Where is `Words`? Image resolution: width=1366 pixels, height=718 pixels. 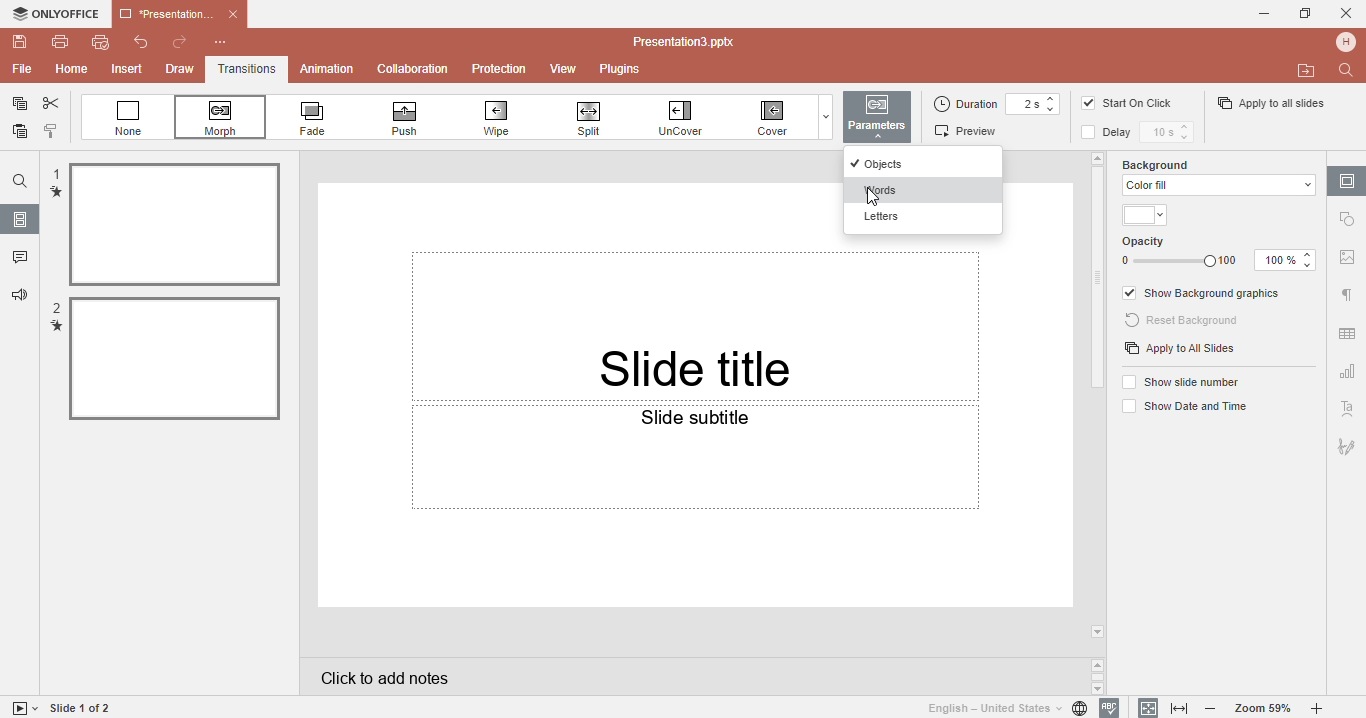 Words is located at coordinates (906, 190).